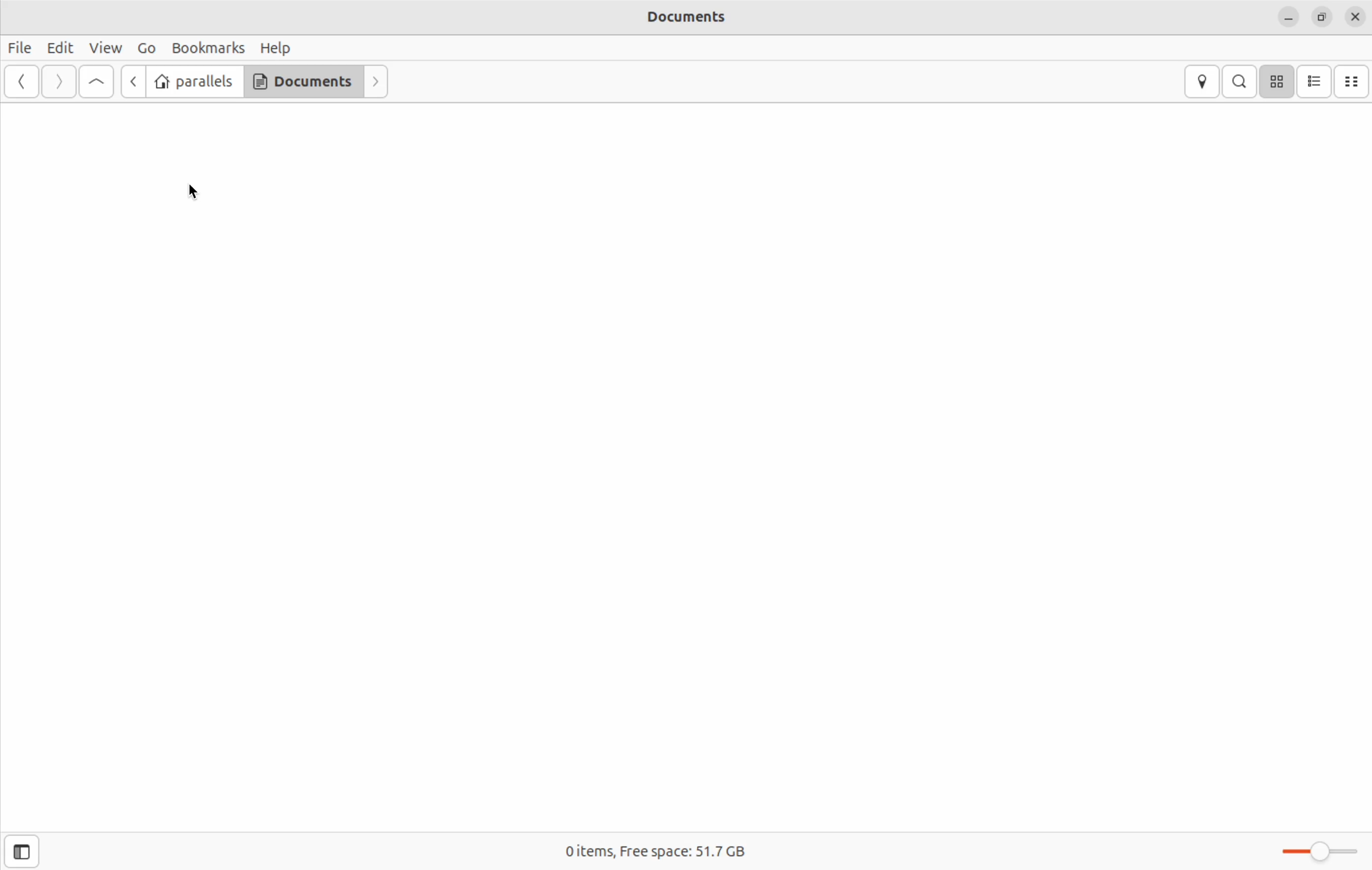  What do you see at coordinates (1317, 80) in the screenshot?
I see `list view` at bounding box center [1317, 80].